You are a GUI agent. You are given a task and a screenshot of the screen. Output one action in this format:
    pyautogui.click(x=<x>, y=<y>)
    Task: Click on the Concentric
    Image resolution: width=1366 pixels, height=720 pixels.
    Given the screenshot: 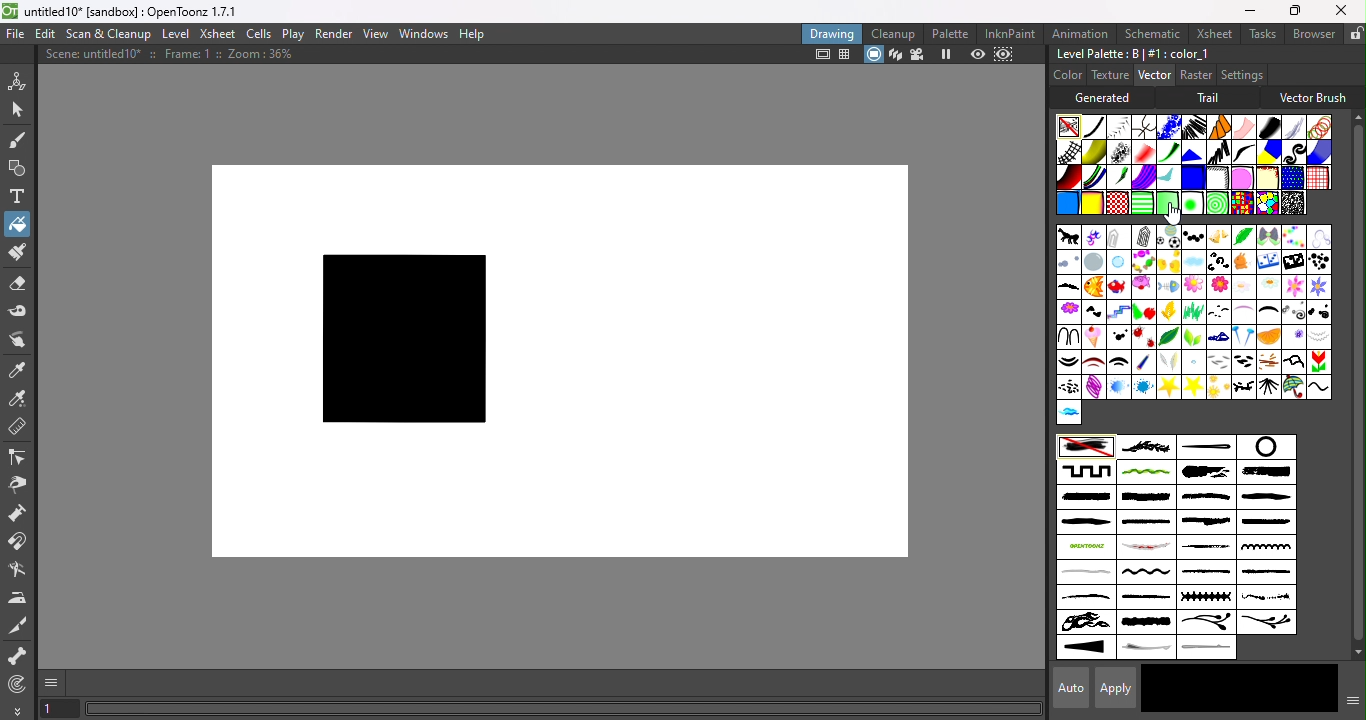 What is the action you would take?
    pyautogui.click(x=1213, y=203)
    